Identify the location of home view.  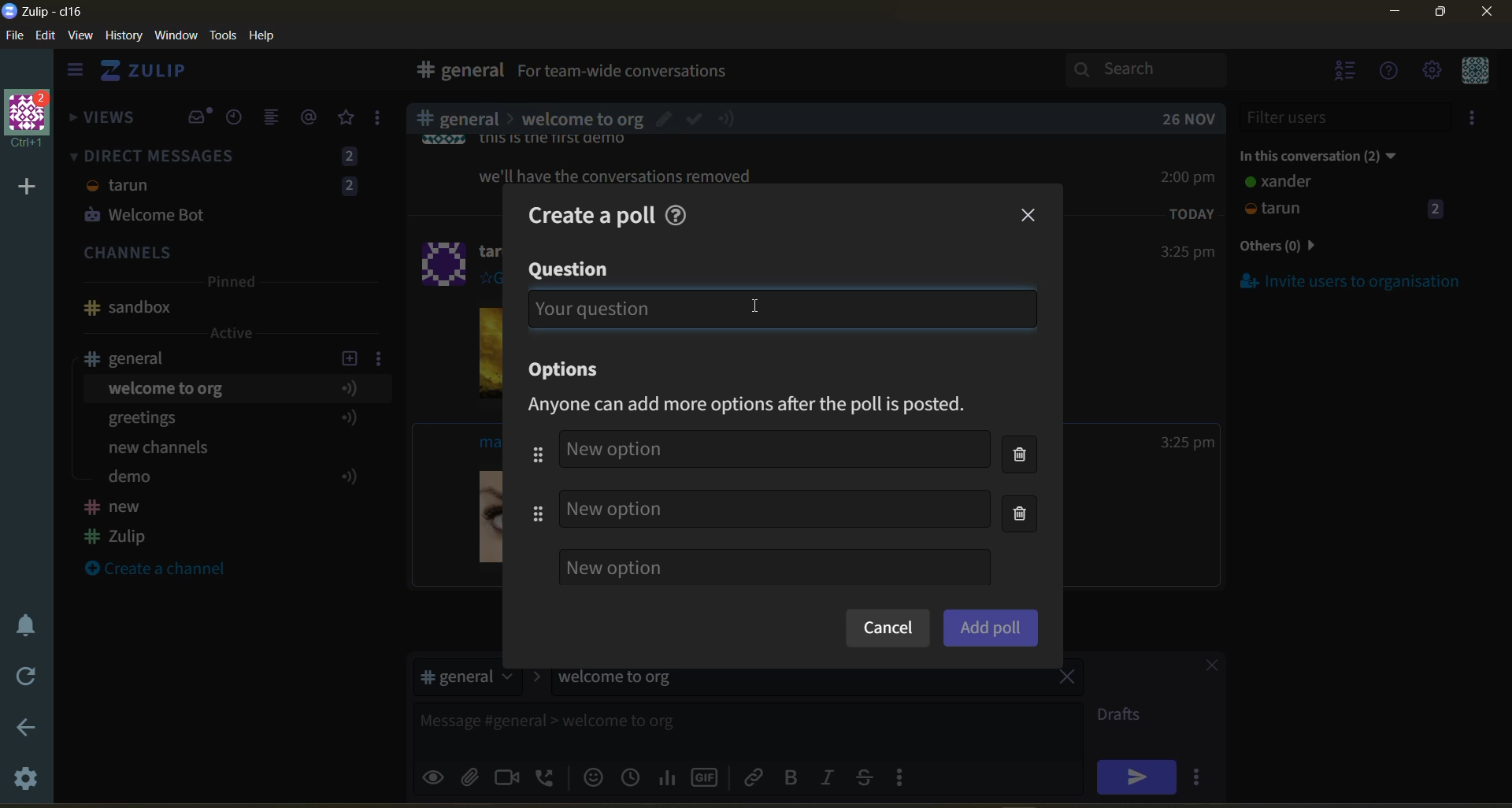
(154, 75).